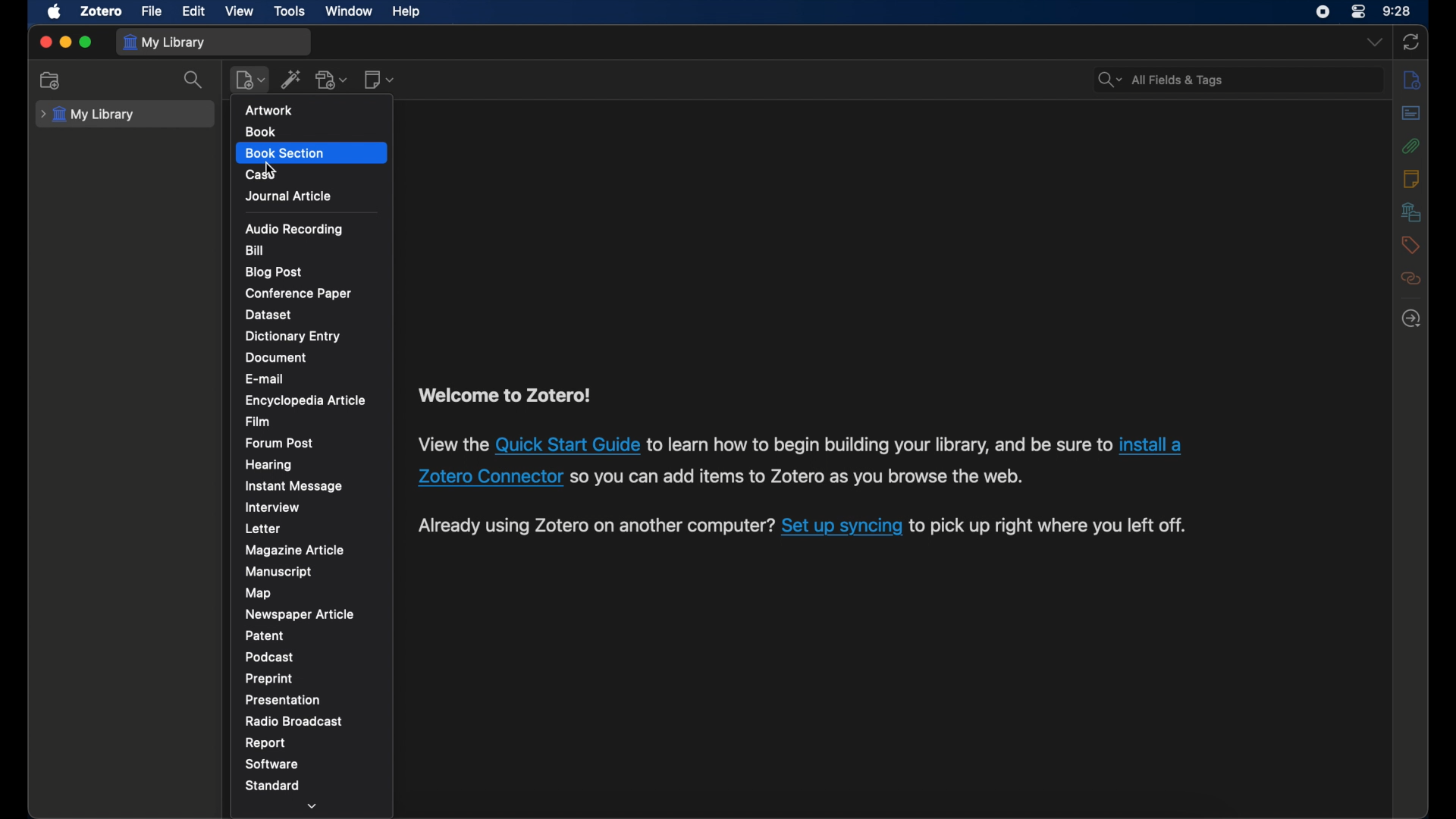 The image size is (1456, 819). I want to click on case, so click(263, 174).